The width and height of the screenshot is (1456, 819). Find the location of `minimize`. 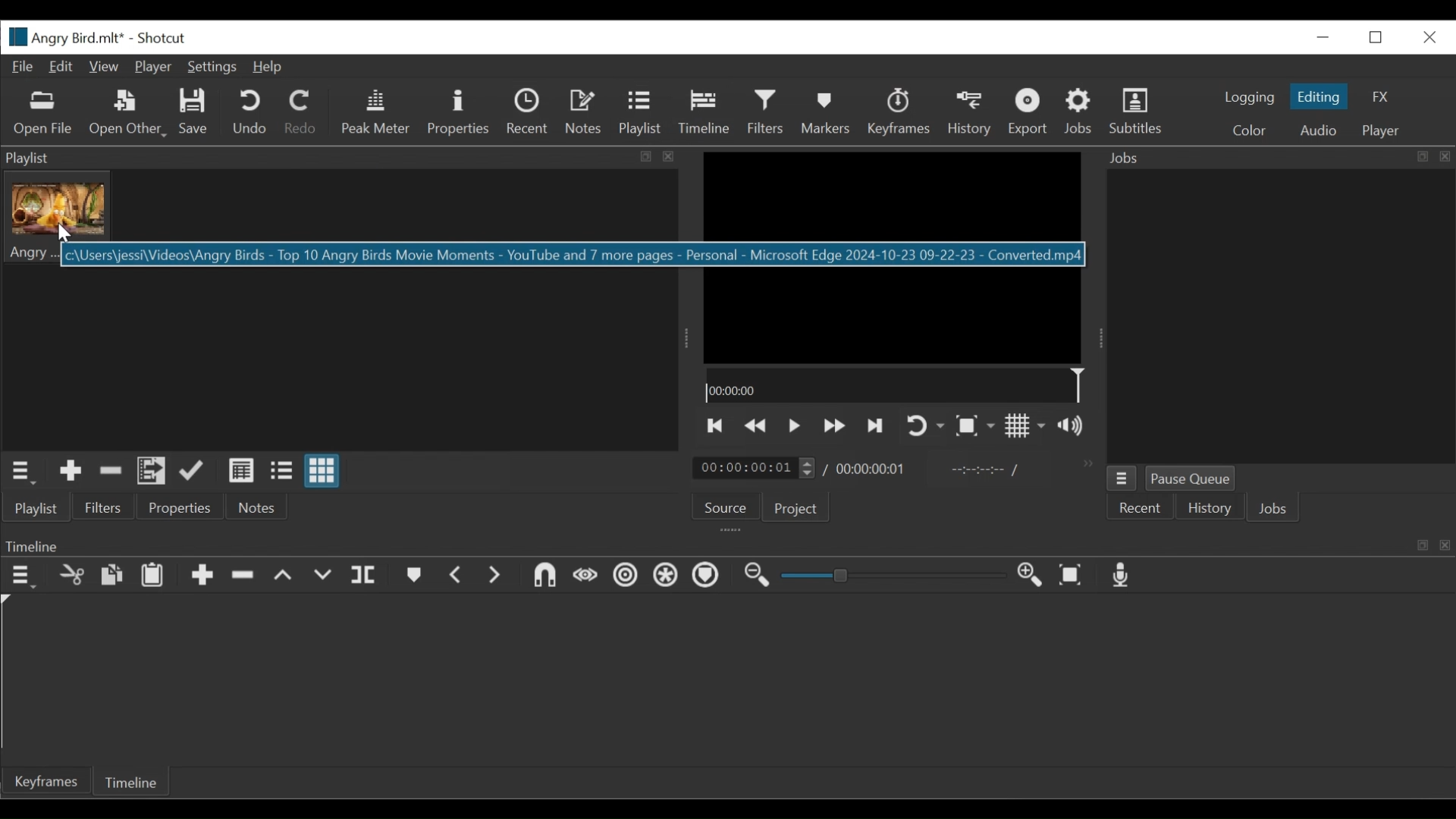

minimize is located at coordinates (1325, 36).